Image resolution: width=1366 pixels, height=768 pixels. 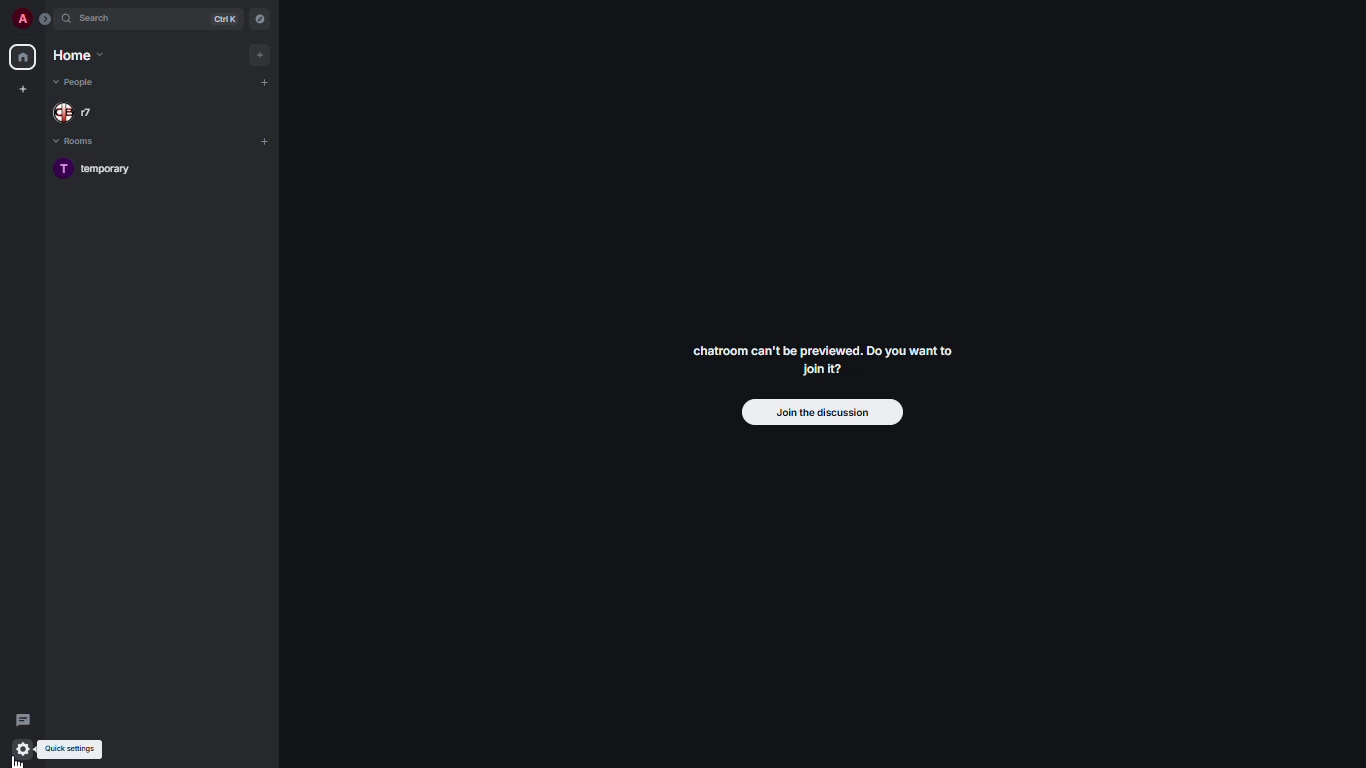 I want to click on home, so click(x=77, y=56).